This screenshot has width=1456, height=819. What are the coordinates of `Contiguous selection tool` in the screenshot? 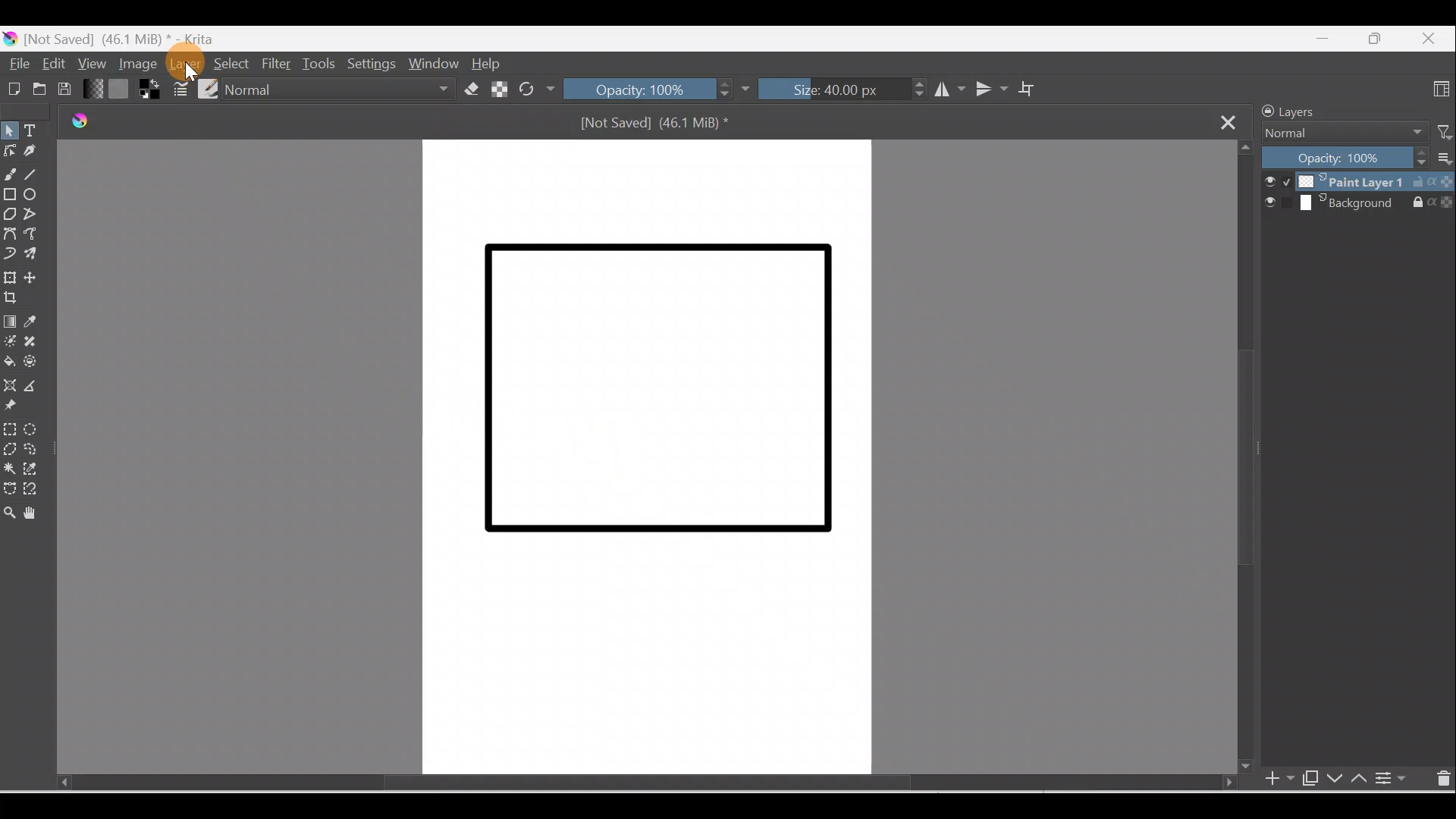 It's located at (9, 469).